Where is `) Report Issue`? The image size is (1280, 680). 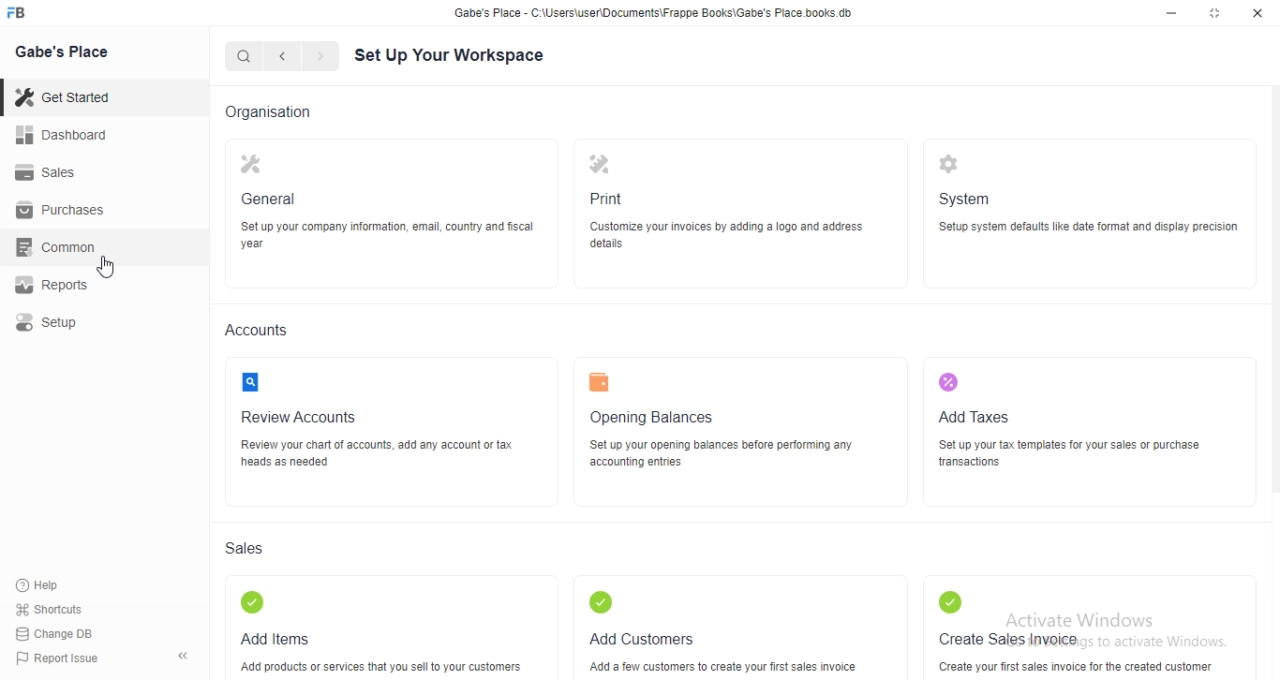
) Report Issue is located at coordinates (59, 659).